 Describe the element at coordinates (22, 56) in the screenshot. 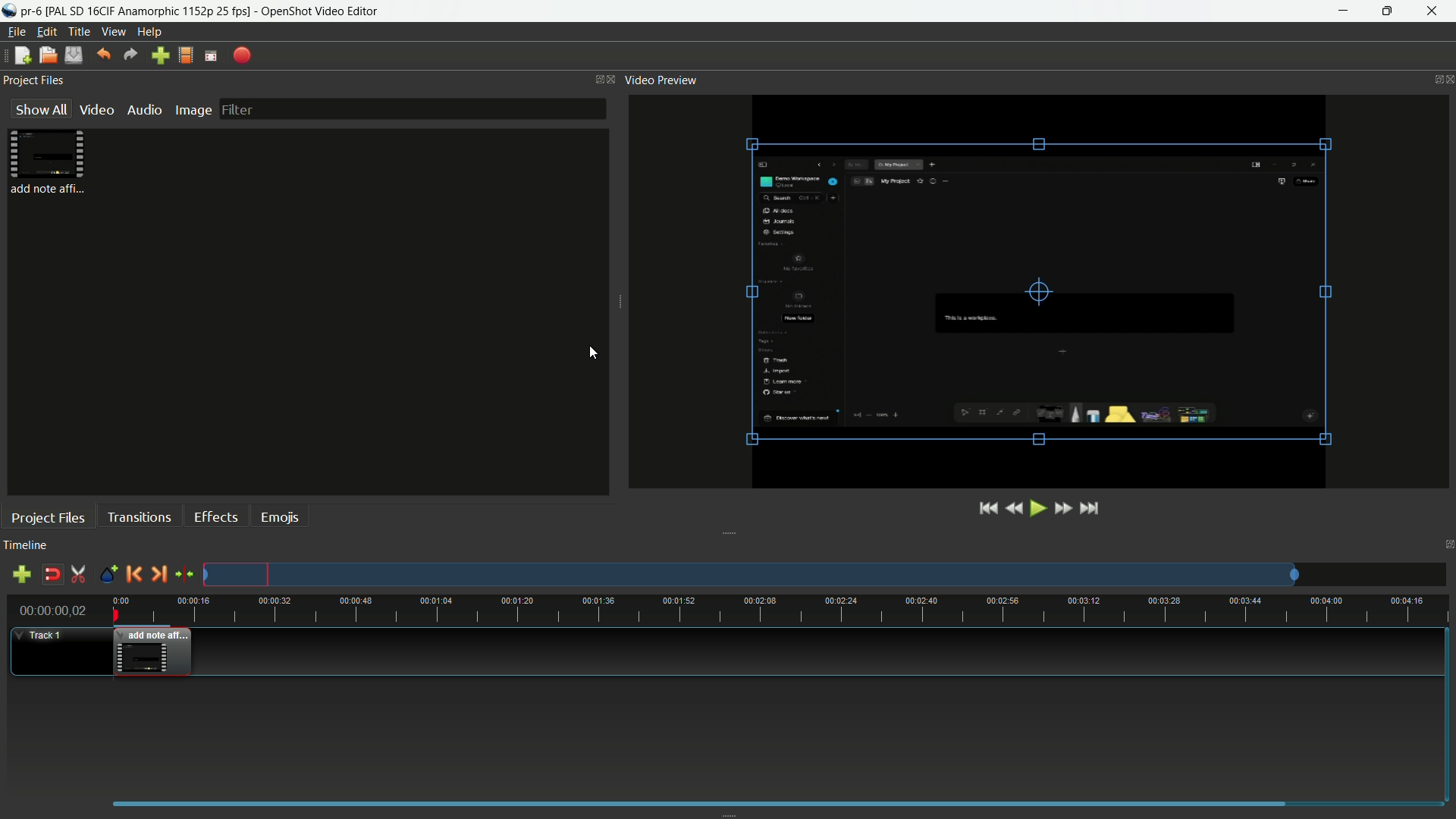

I see `new file` at that location.